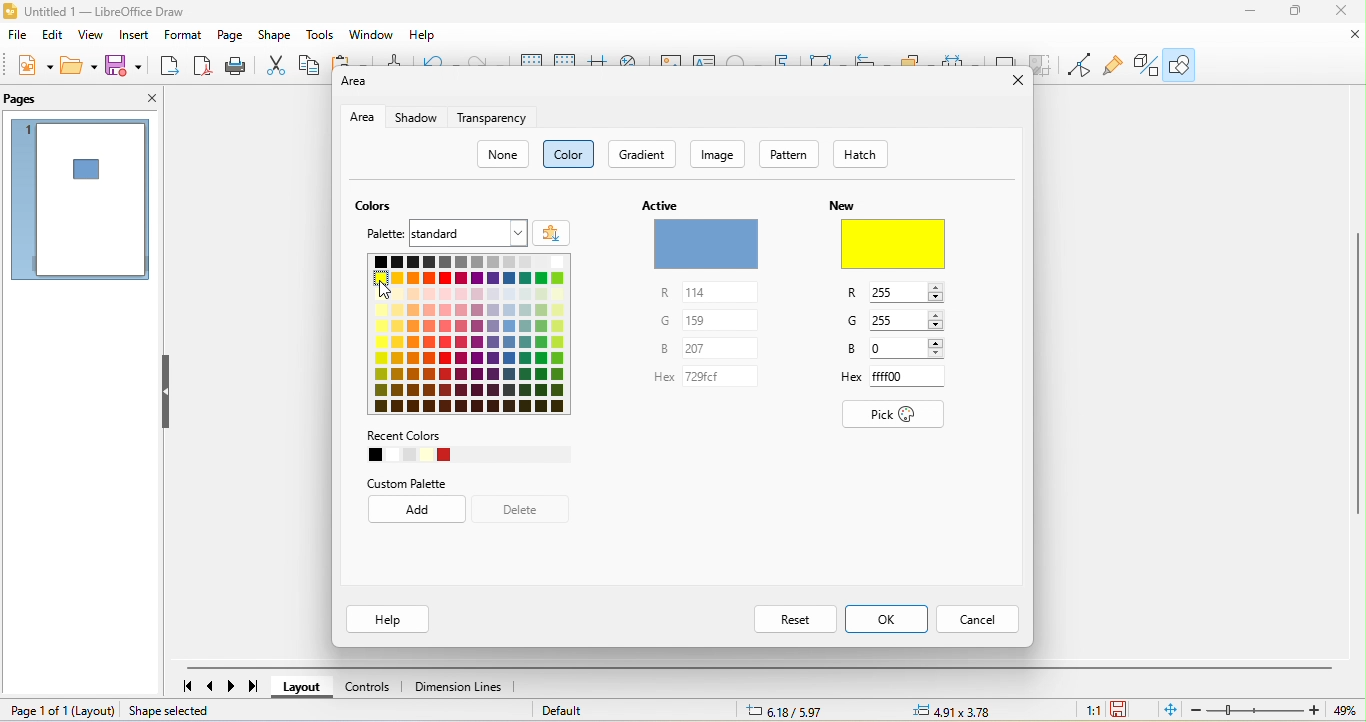  I want to click on format, so click(185, 36).